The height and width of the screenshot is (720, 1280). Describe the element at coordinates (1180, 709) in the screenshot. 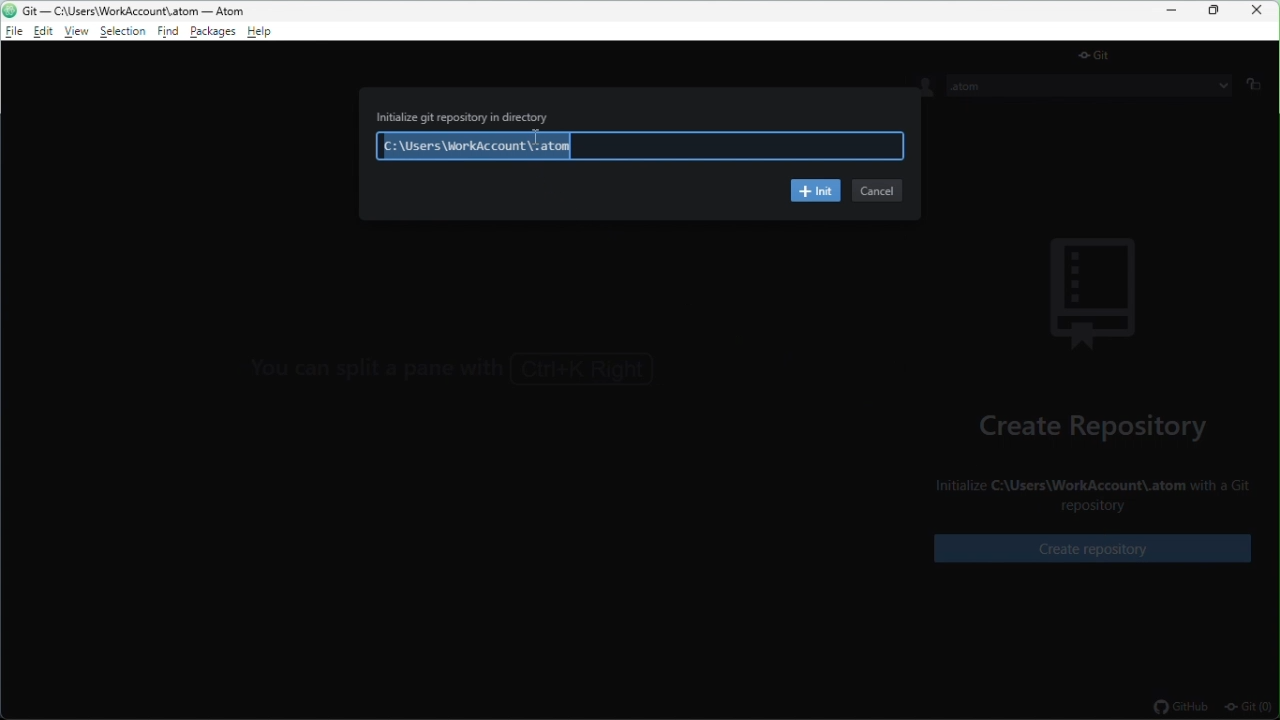

I see `github` at that location.